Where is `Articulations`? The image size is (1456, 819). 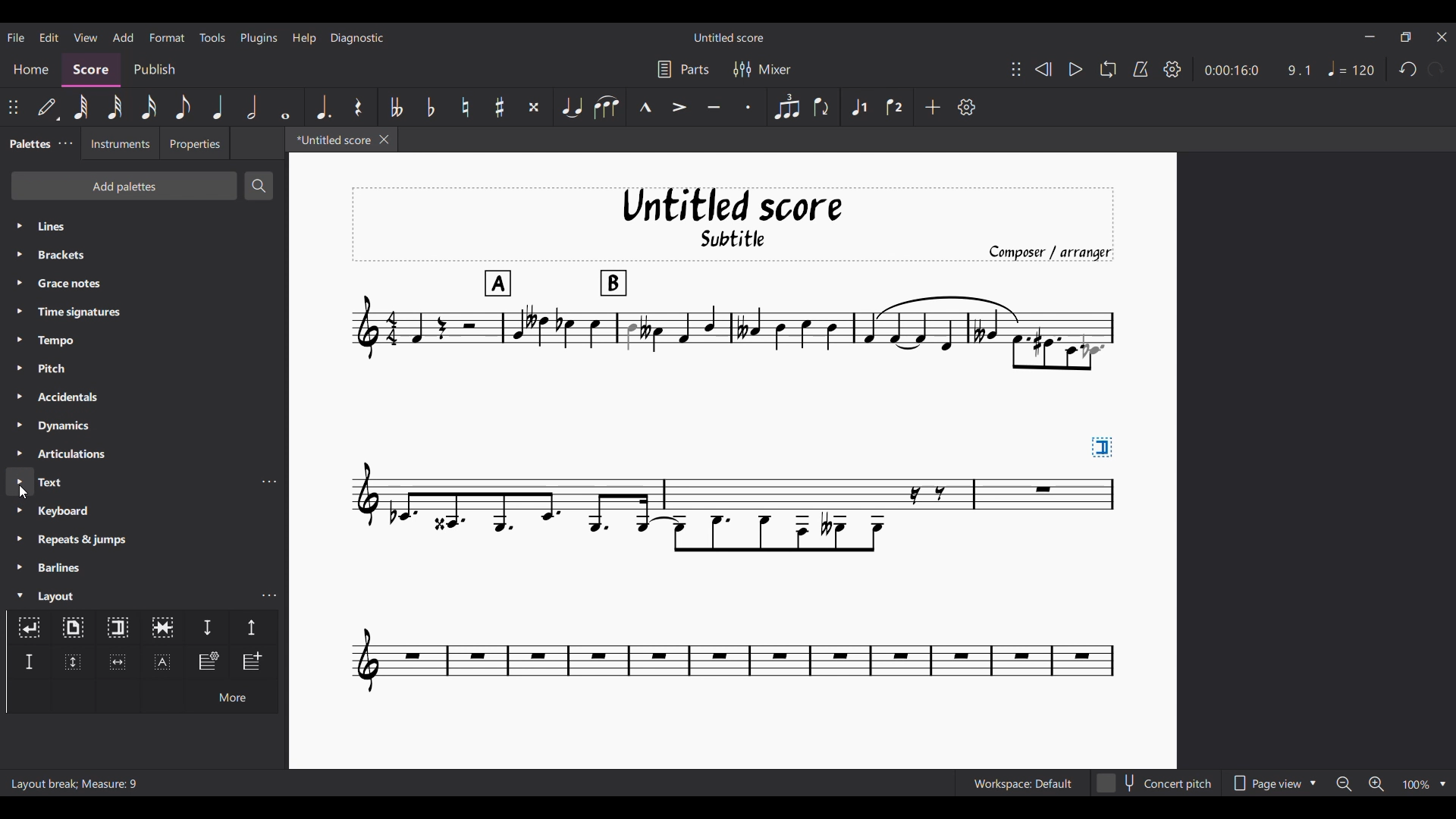
Articulations is located at coordinates (145, 453).